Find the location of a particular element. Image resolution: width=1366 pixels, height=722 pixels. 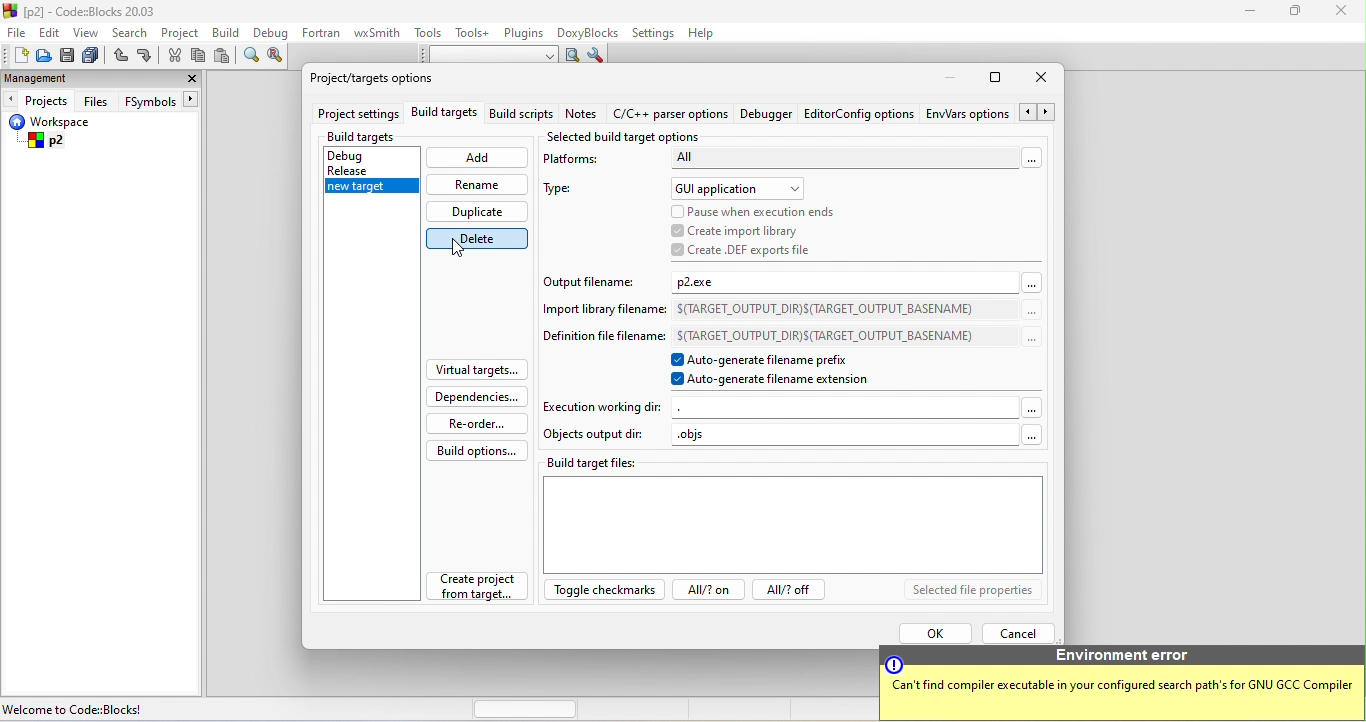

all? off is located at coordinates (793, 592).